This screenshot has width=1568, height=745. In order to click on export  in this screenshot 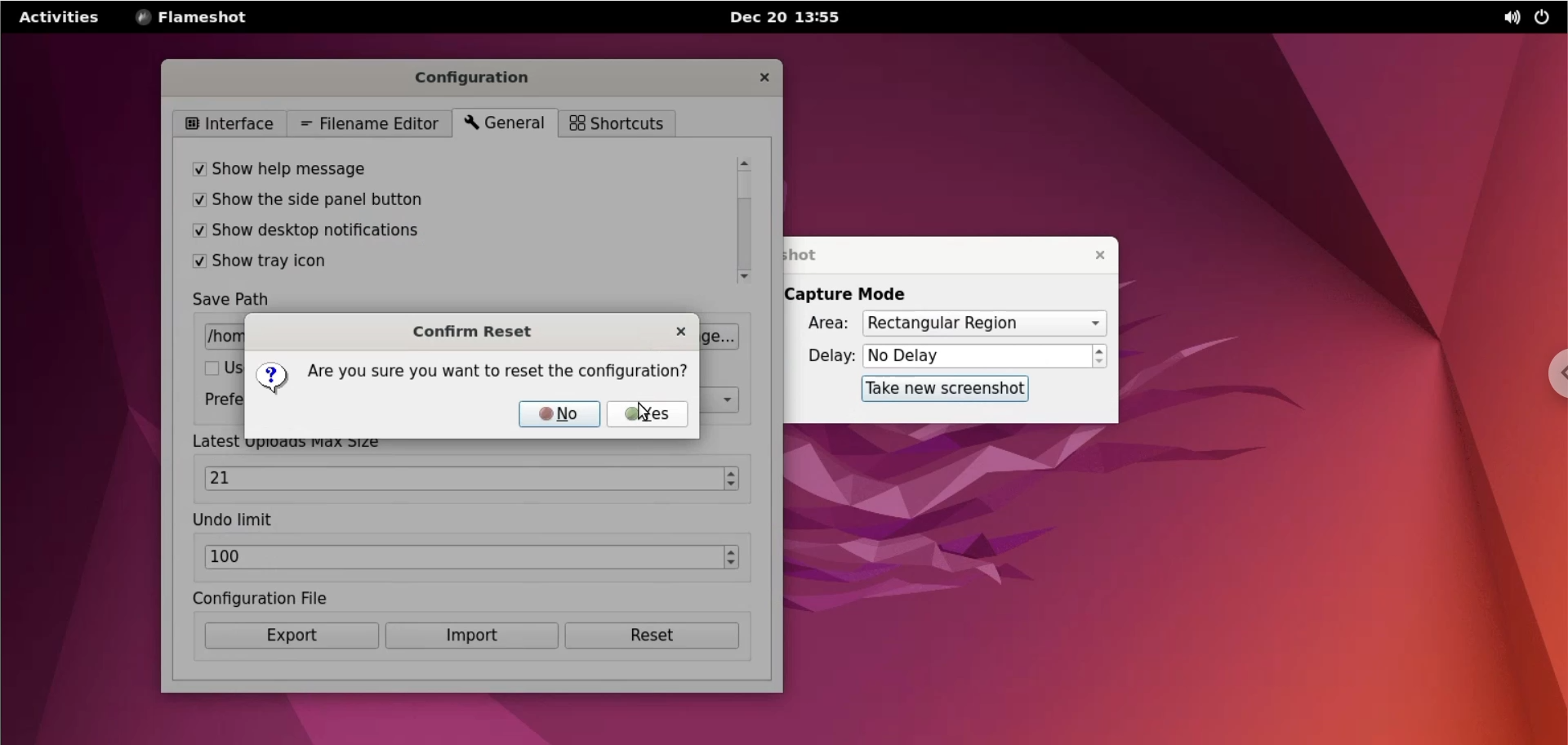, I will do `click(287, 636)`.